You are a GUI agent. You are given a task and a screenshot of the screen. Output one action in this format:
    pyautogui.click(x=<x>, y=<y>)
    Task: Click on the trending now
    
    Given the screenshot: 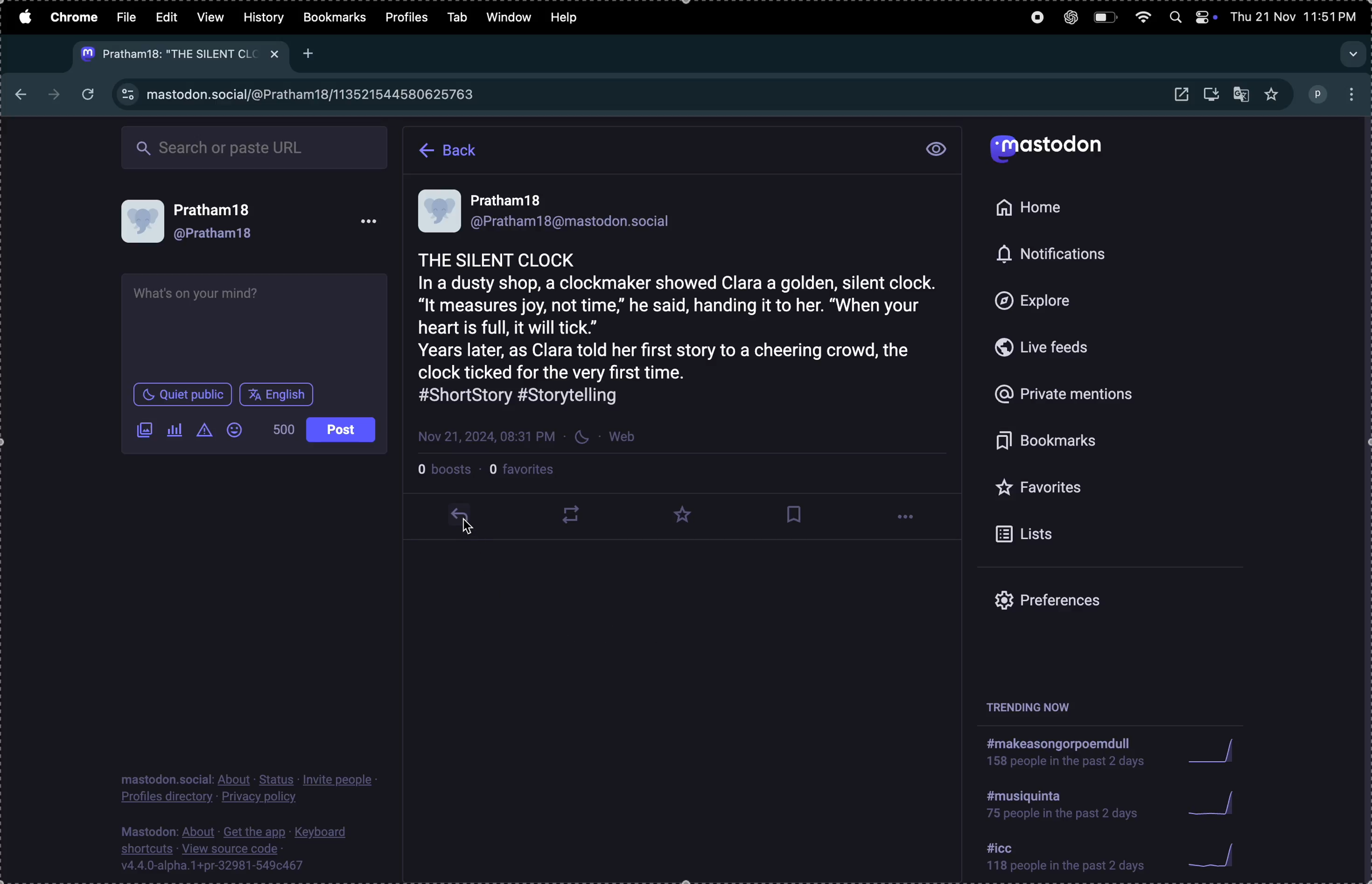 What is the action you would take?
    pyautogui.click(x=1035, y=707)
    